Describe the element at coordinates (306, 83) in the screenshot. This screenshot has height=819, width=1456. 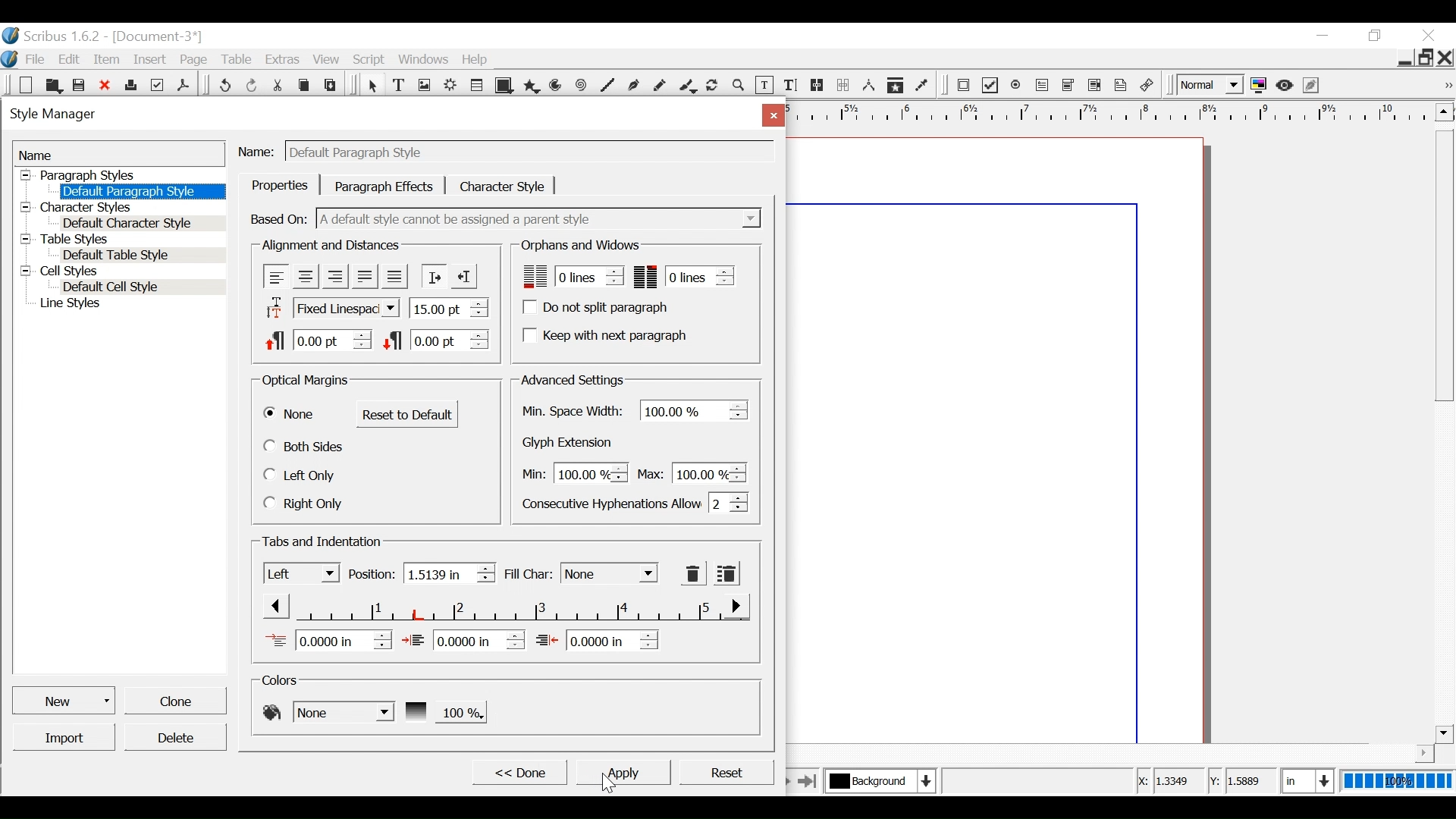
I see `Copy ` at that location.